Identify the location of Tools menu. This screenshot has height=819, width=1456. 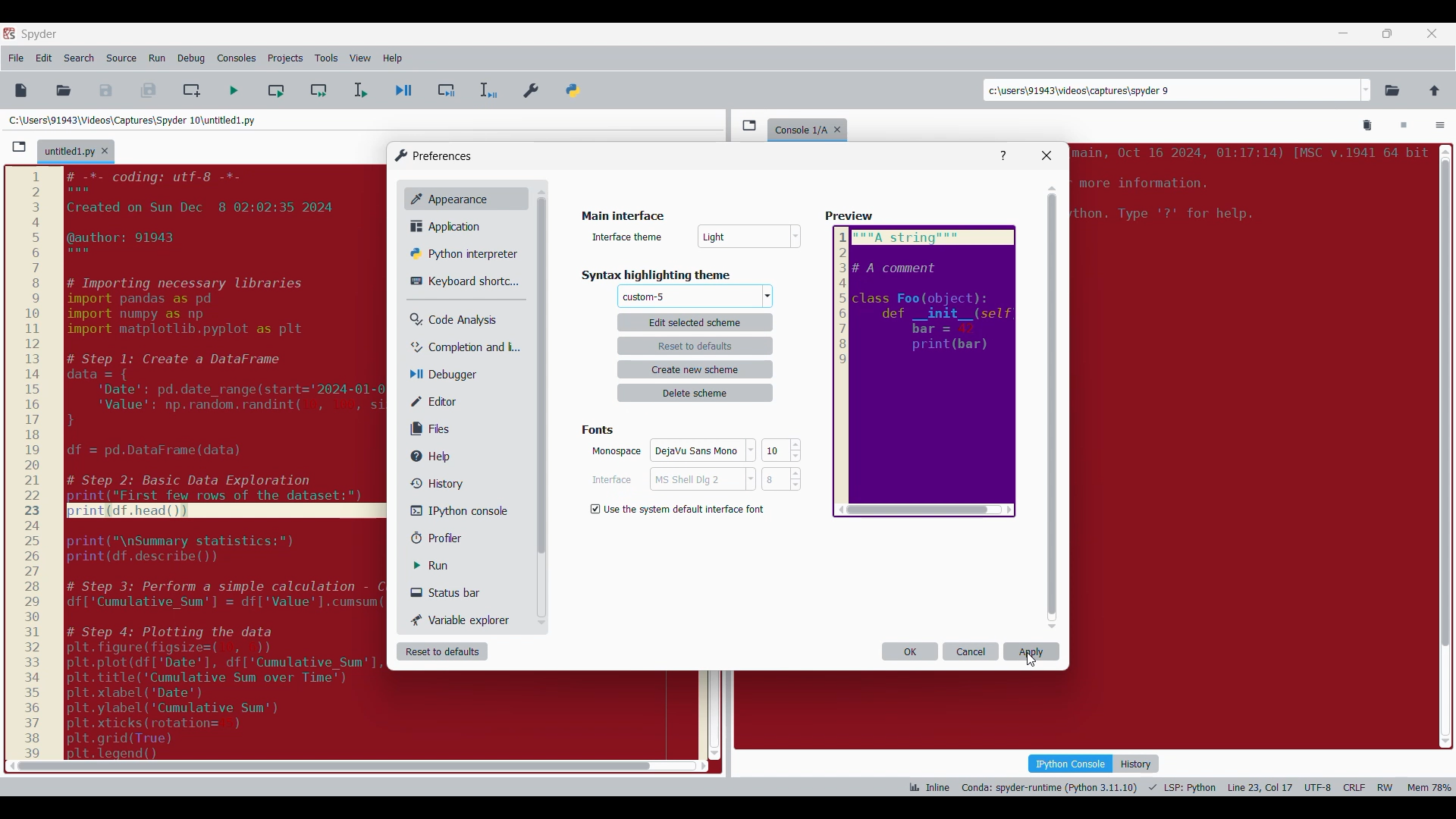
(326, 58).